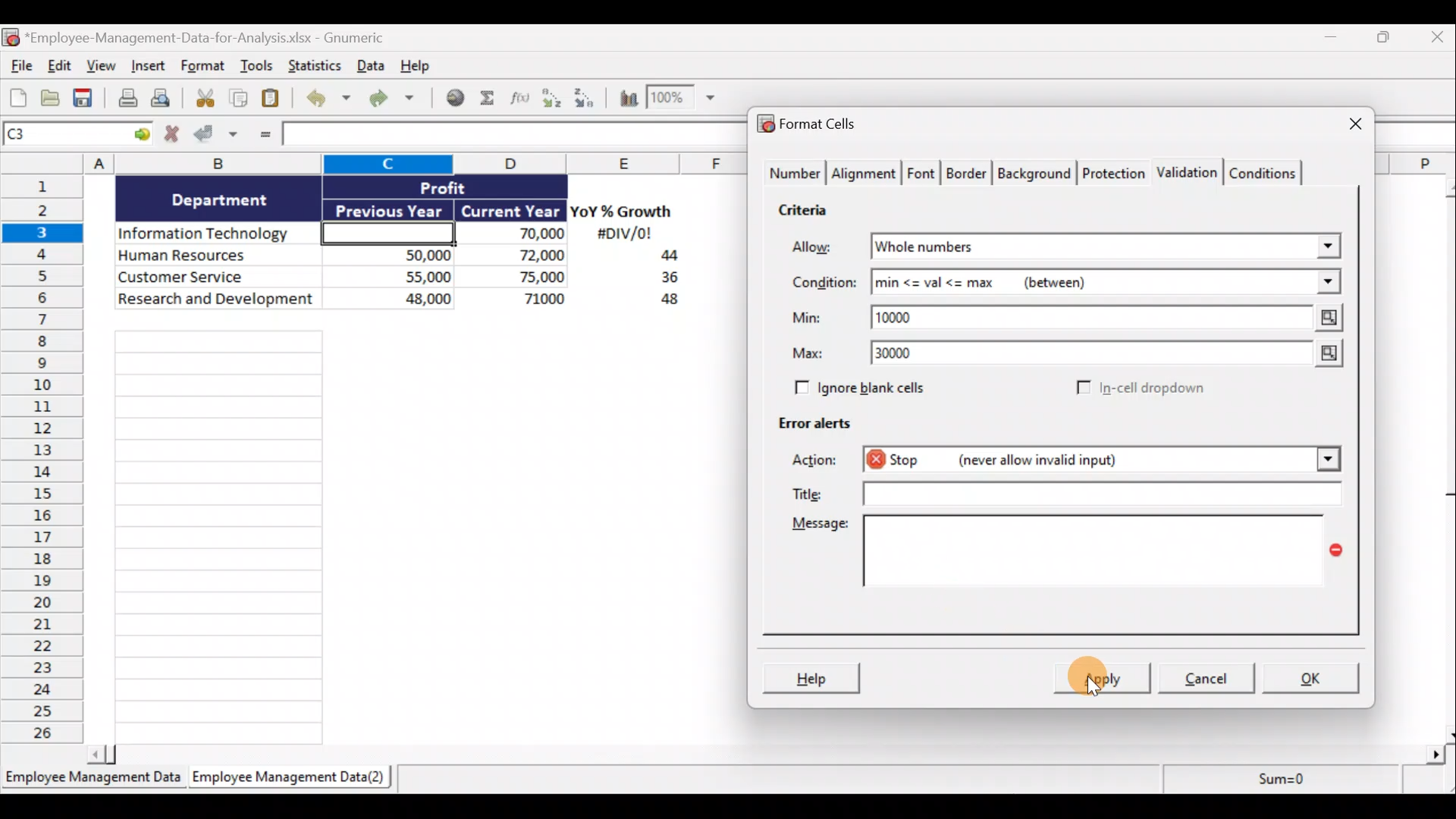  What do you see at coordinates (1064, 560) in the screenshot?
I see `Message` at bounding box center [1064, 560].